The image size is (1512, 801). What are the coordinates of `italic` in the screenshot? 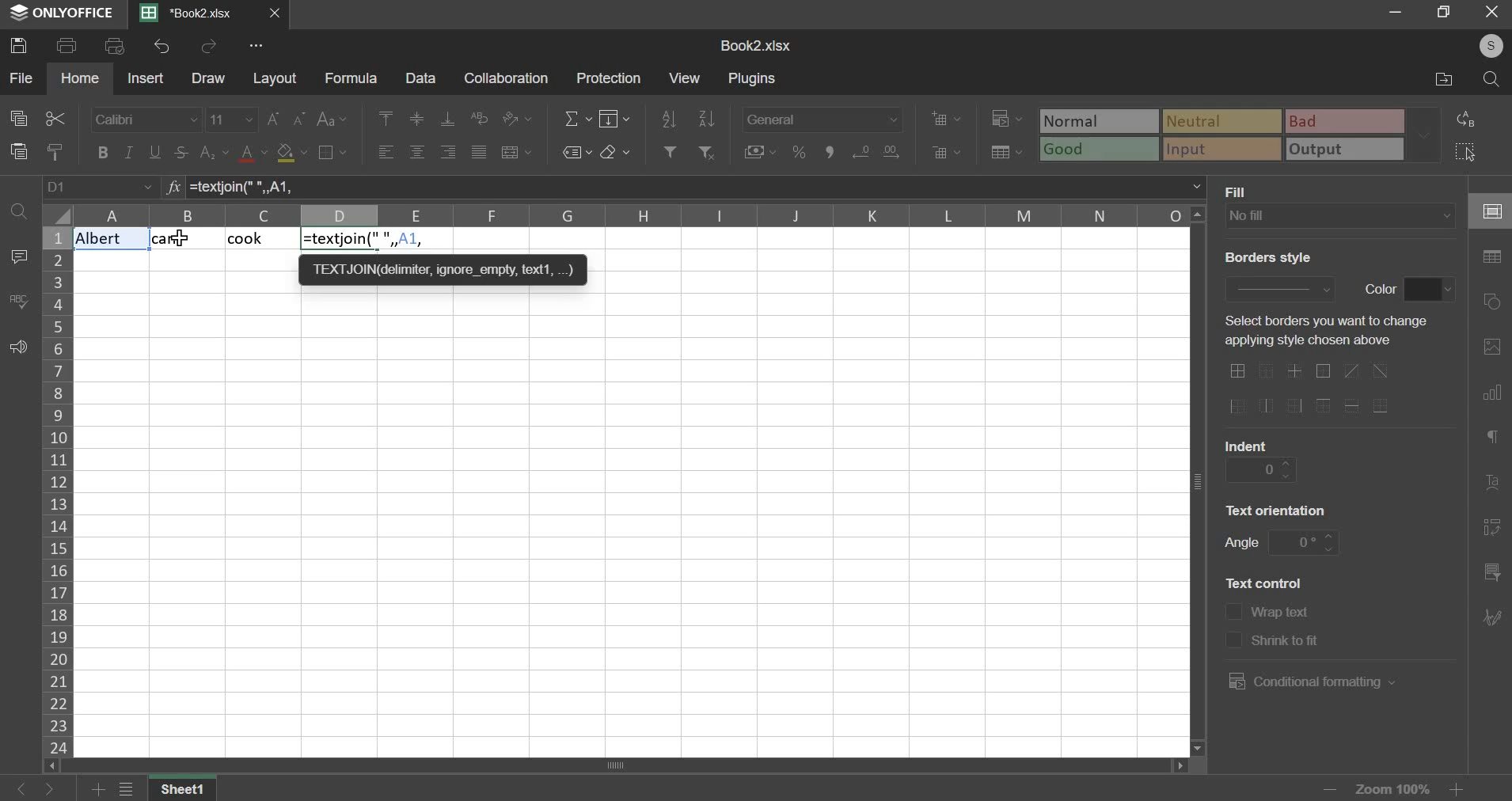 It's located at (128, 152).